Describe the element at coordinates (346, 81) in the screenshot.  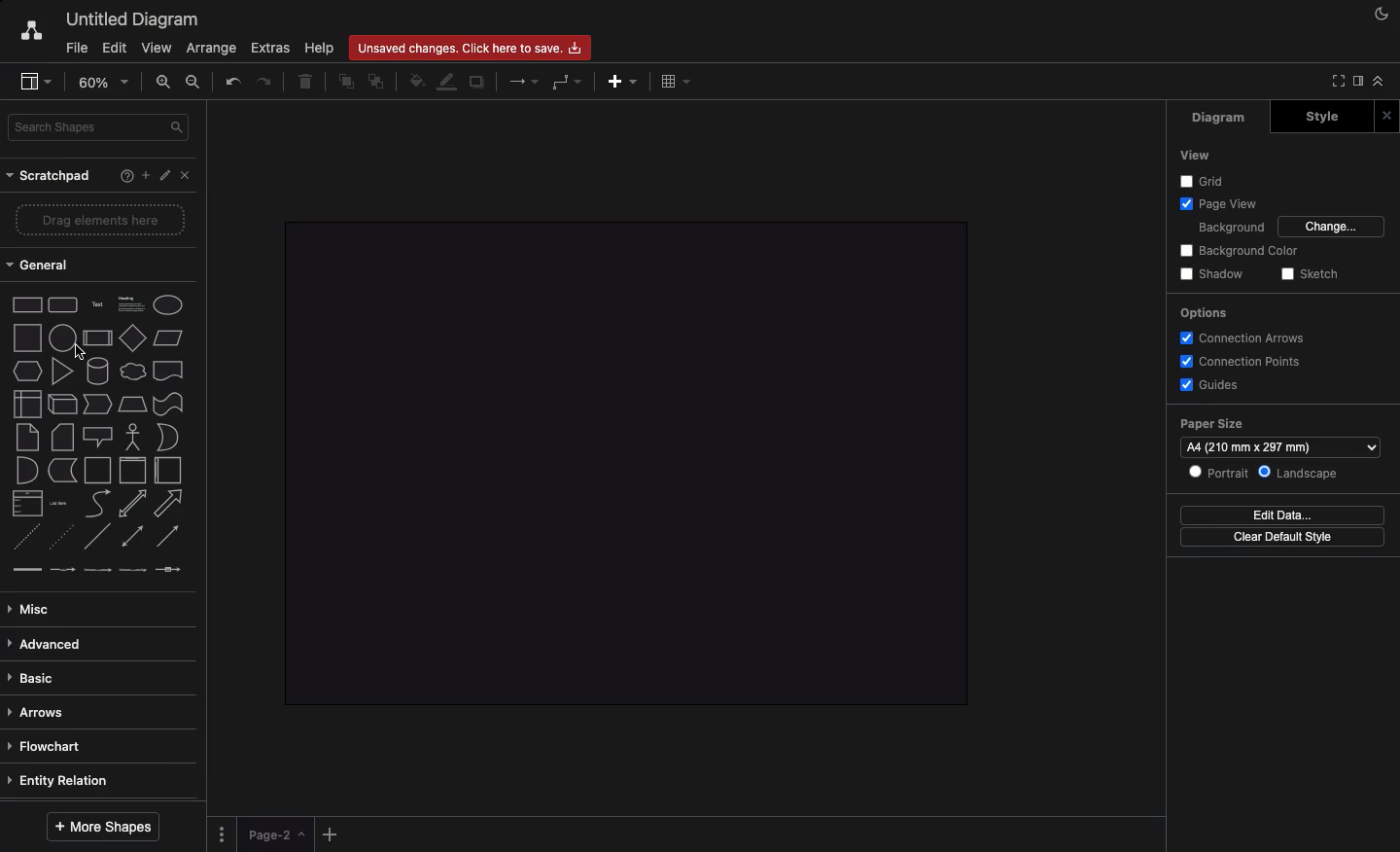
I see `To front` at that location.